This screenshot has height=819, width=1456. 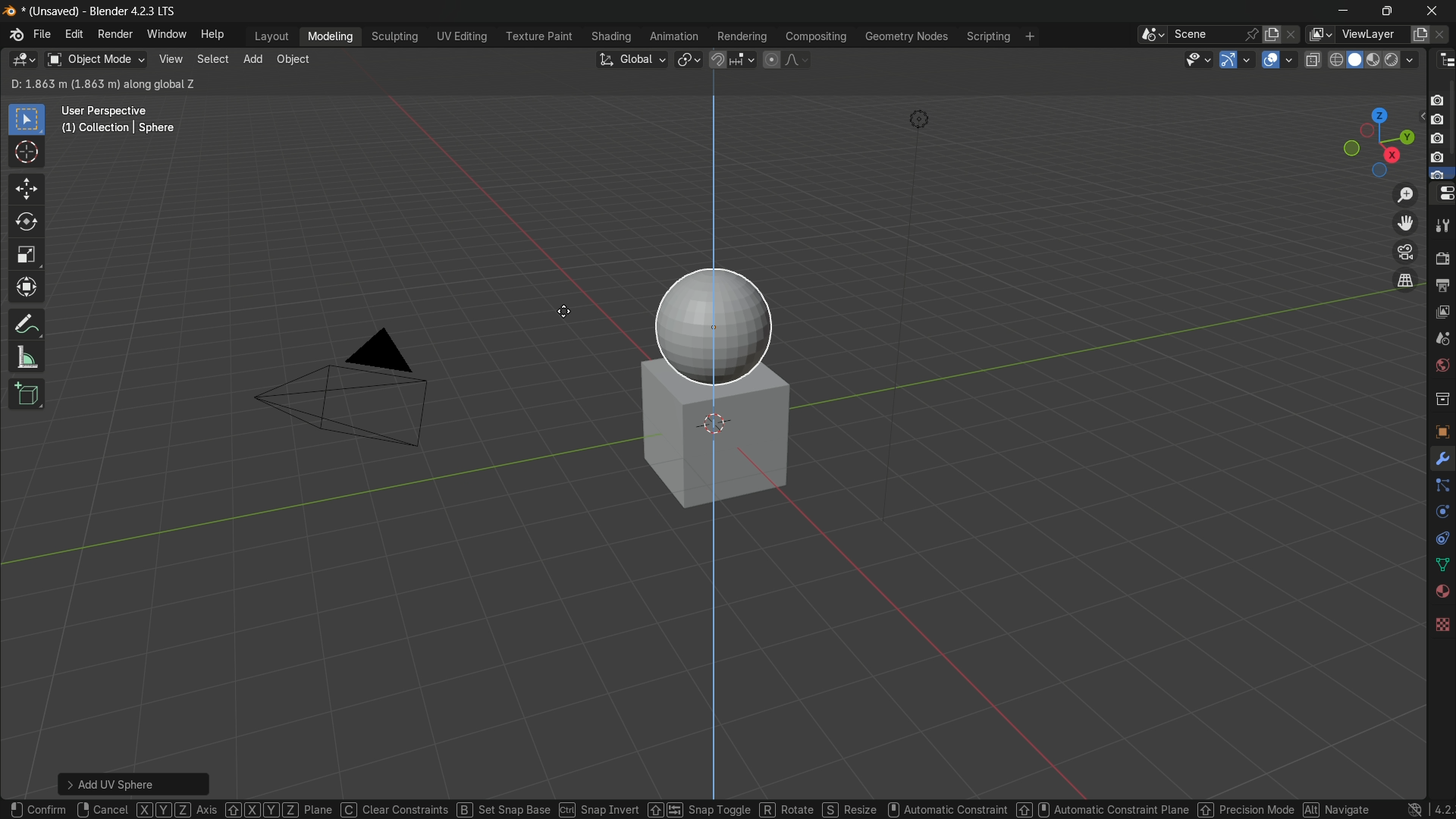 What do you see at coordinates (101, 810) in the screenshot?
I see `Cancel` at bounding box center [101, 810].